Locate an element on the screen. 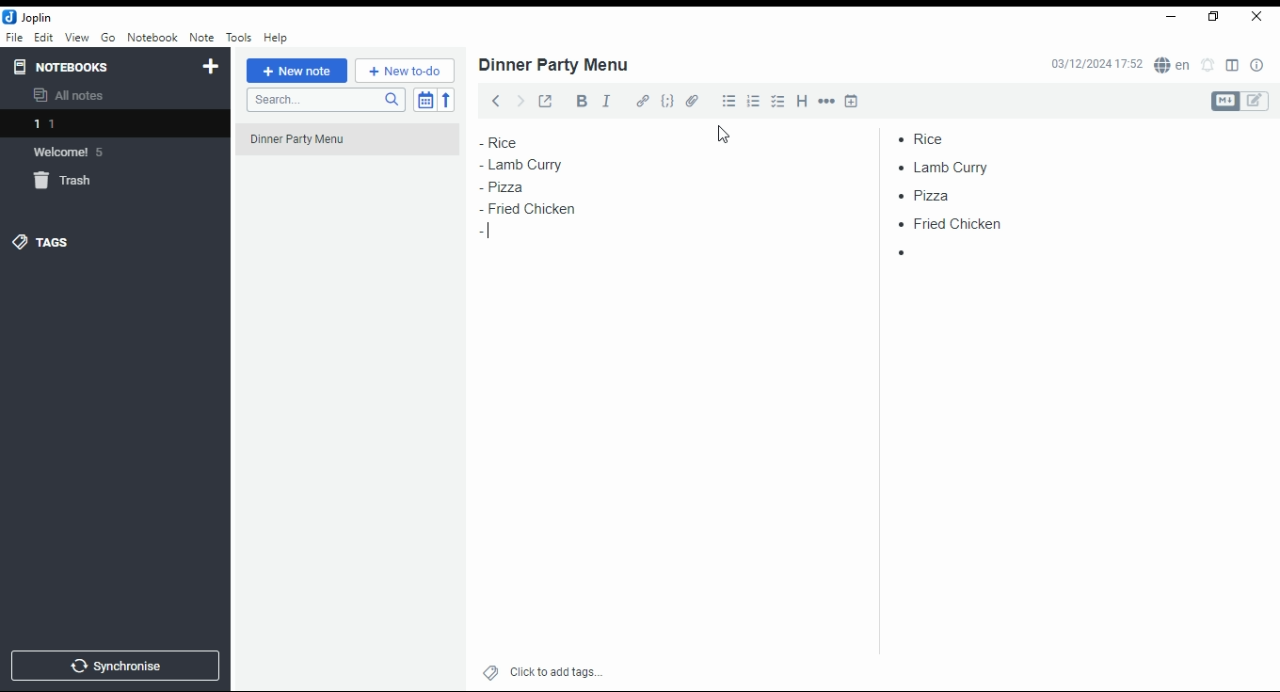 This screenshot has height=692, width=1280. toggle sort order is located at coordinates (424, 99).